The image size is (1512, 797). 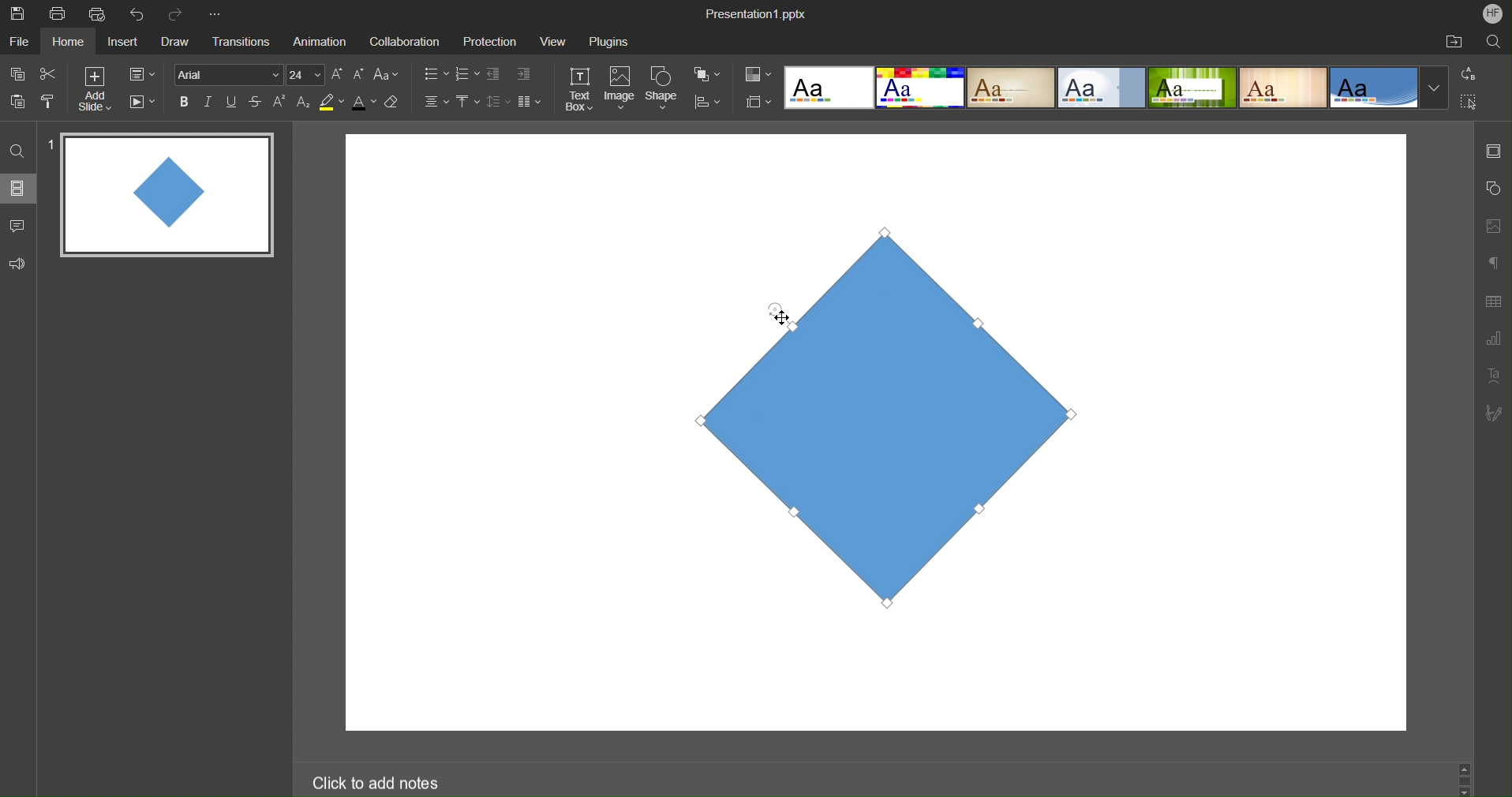 I want to click on Quick Print, so click(x=97, y=12).